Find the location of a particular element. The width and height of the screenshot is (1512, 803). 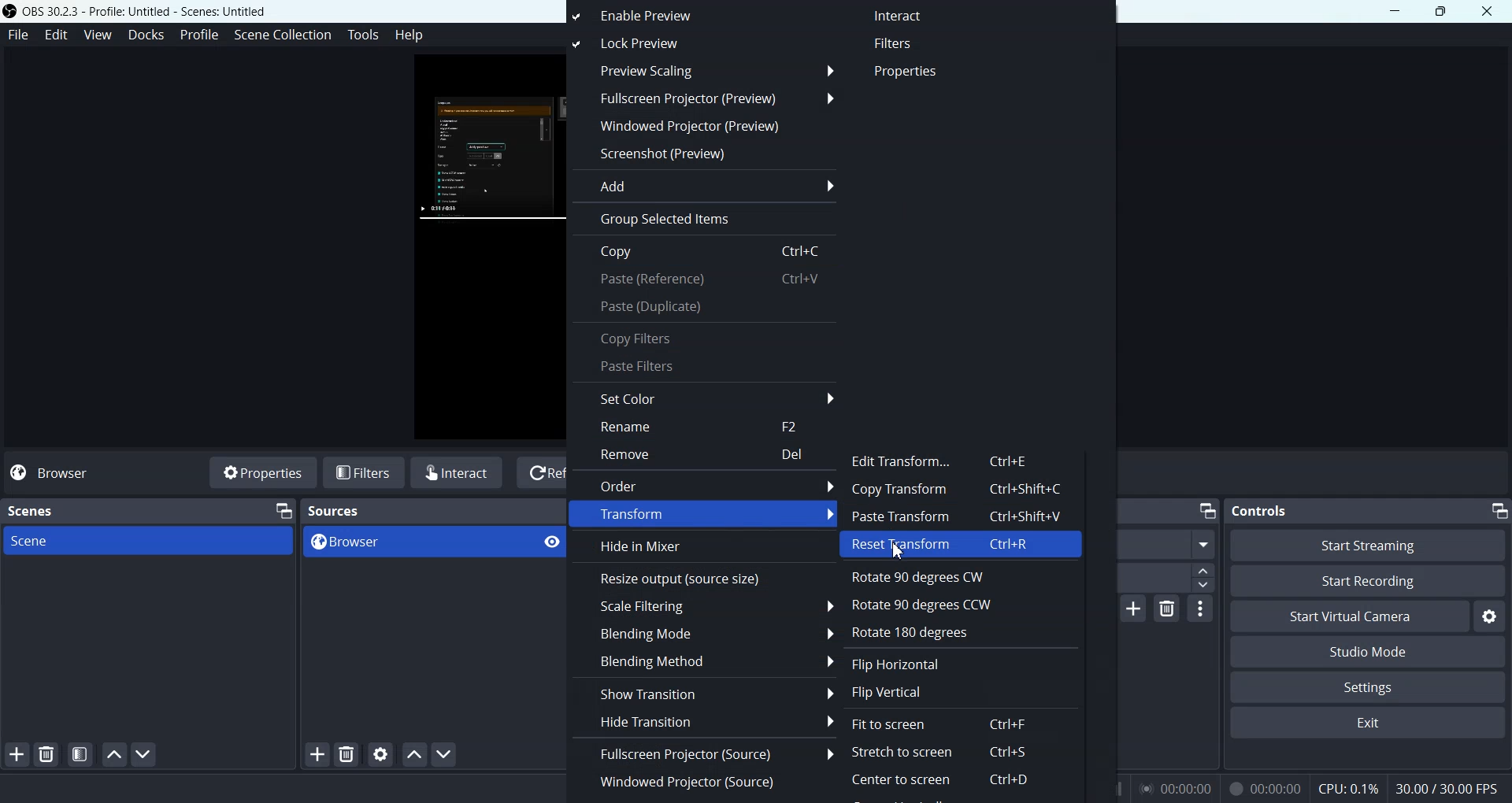

Copy Filters is located at coordinates (705, 337).